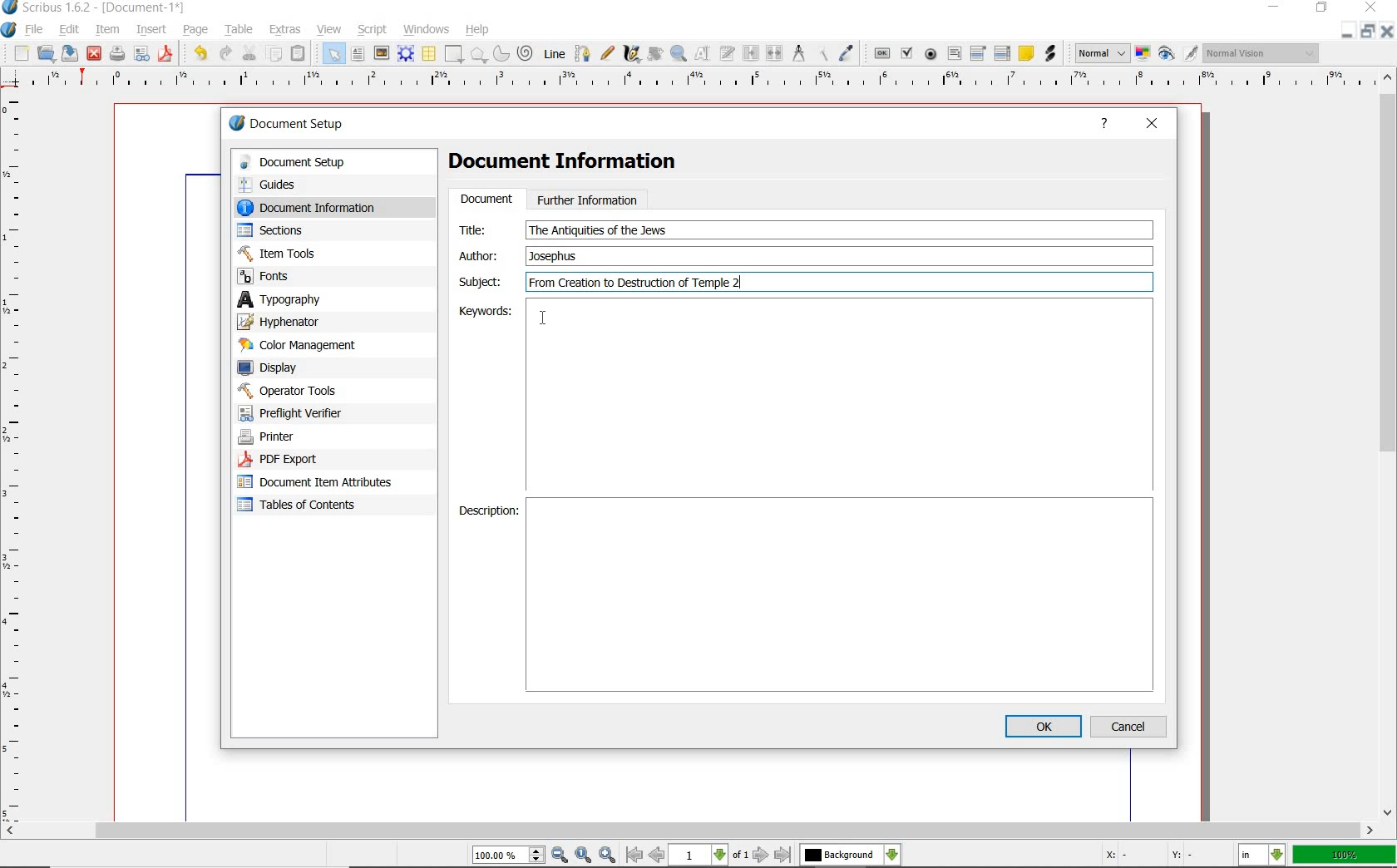 This screenshot has height=868, width=1397. Describe the element at coordinates (17, 456) in the screenshot. I see `ruler` at that location.